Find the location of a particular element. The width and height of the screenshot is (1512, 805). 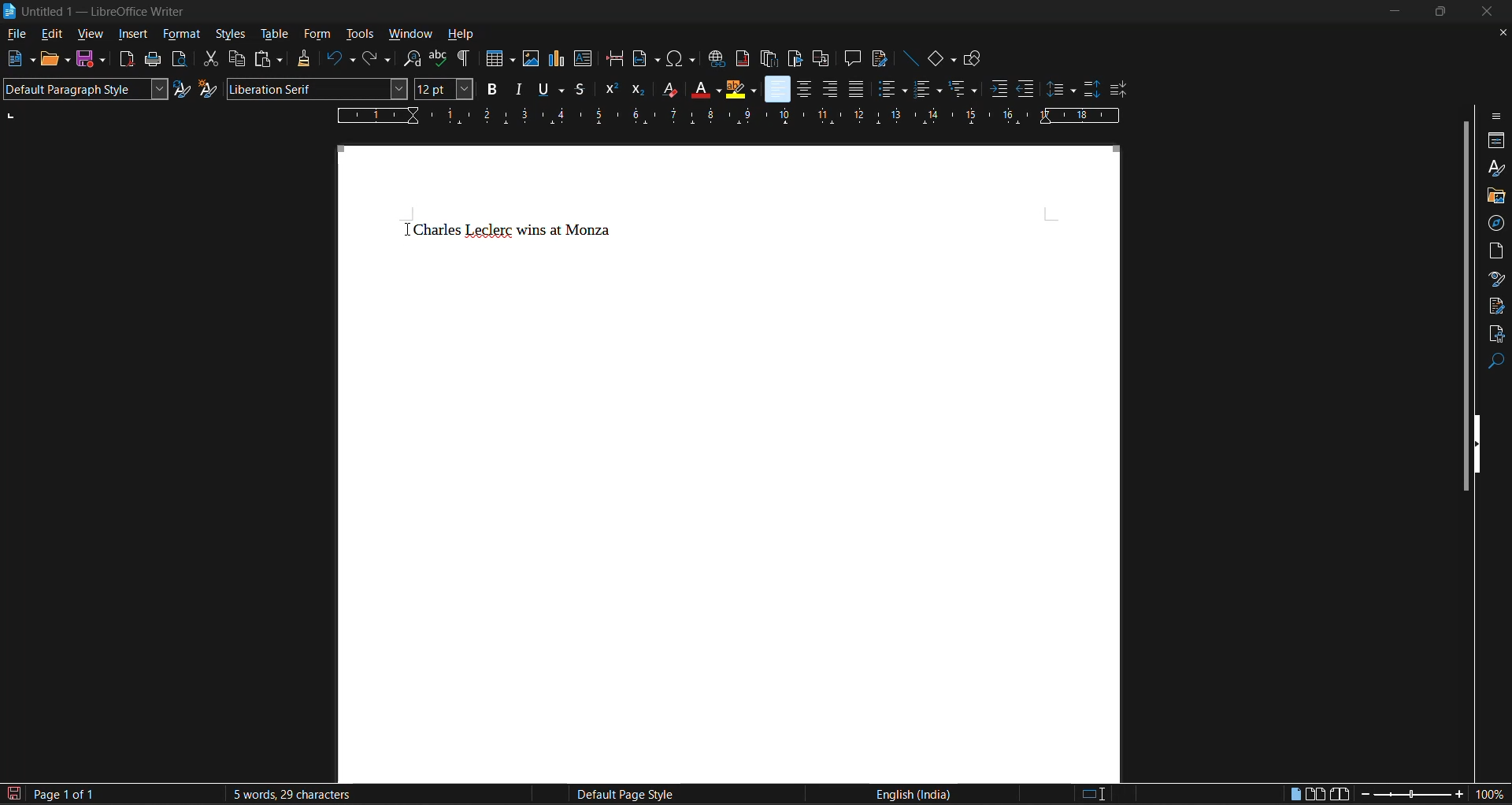

insert special characters is located at coordinates (680, 58).